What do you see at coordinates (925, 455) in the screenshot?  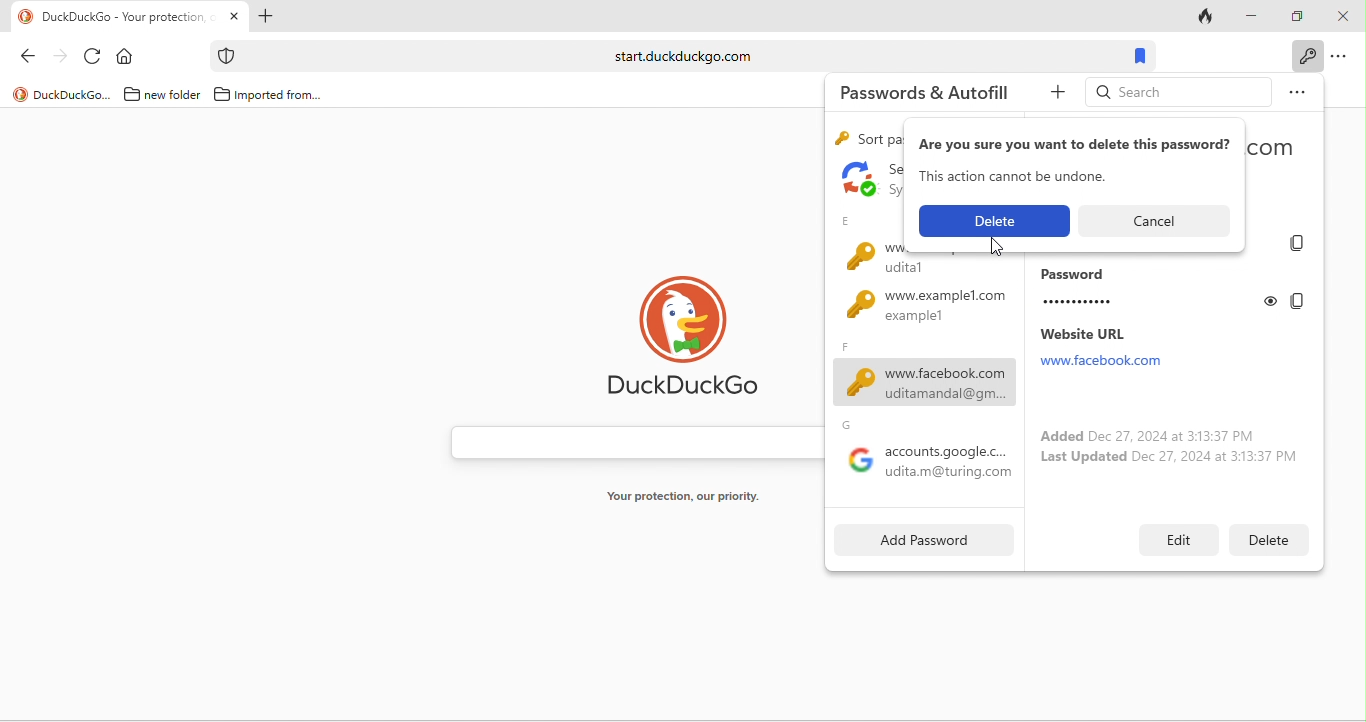 I see `google account` at bounding box center [925, 455].